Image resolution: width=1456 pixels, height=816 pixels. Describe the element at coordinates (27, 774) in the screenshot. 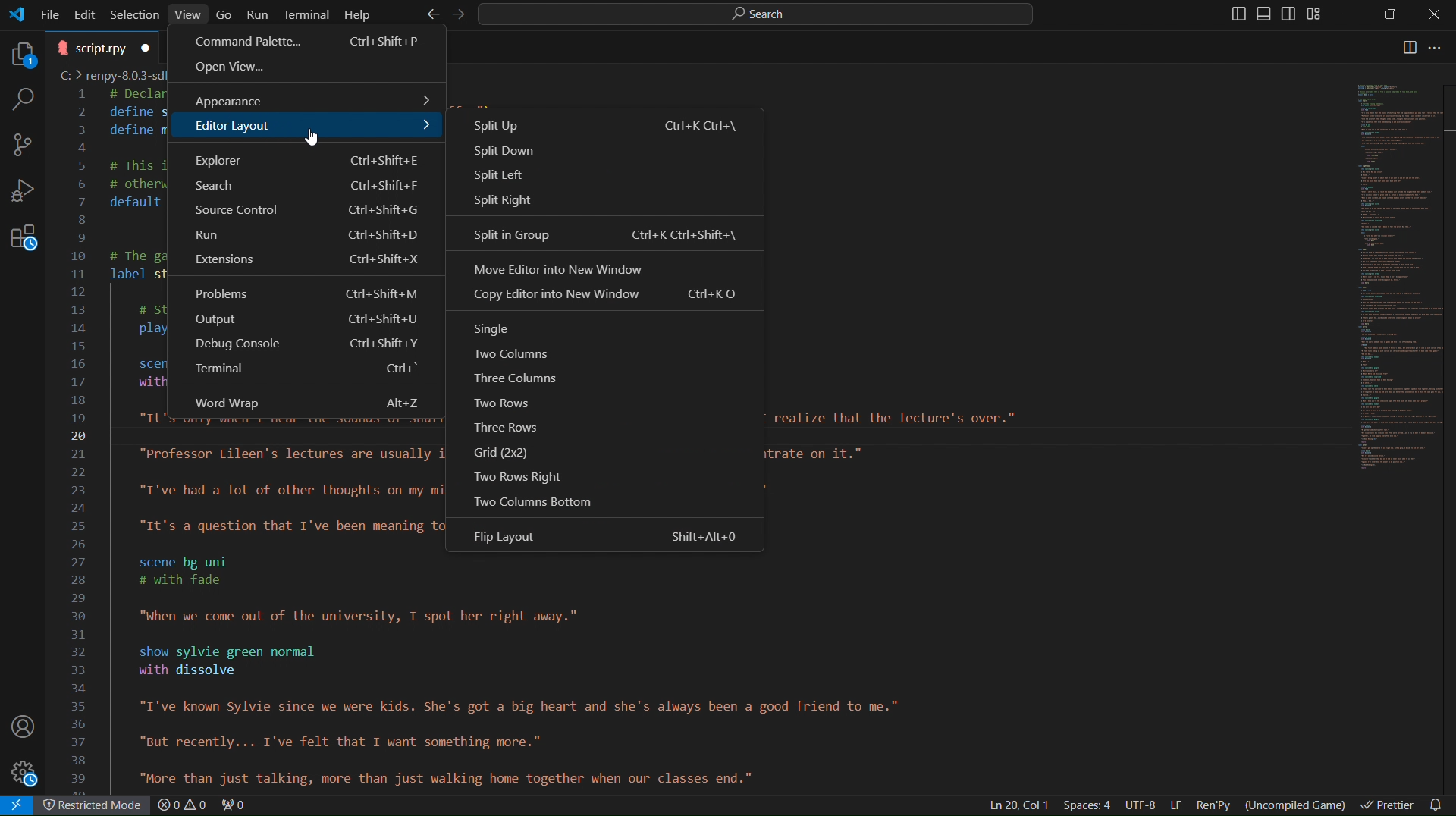

I see `Settings` at that location.